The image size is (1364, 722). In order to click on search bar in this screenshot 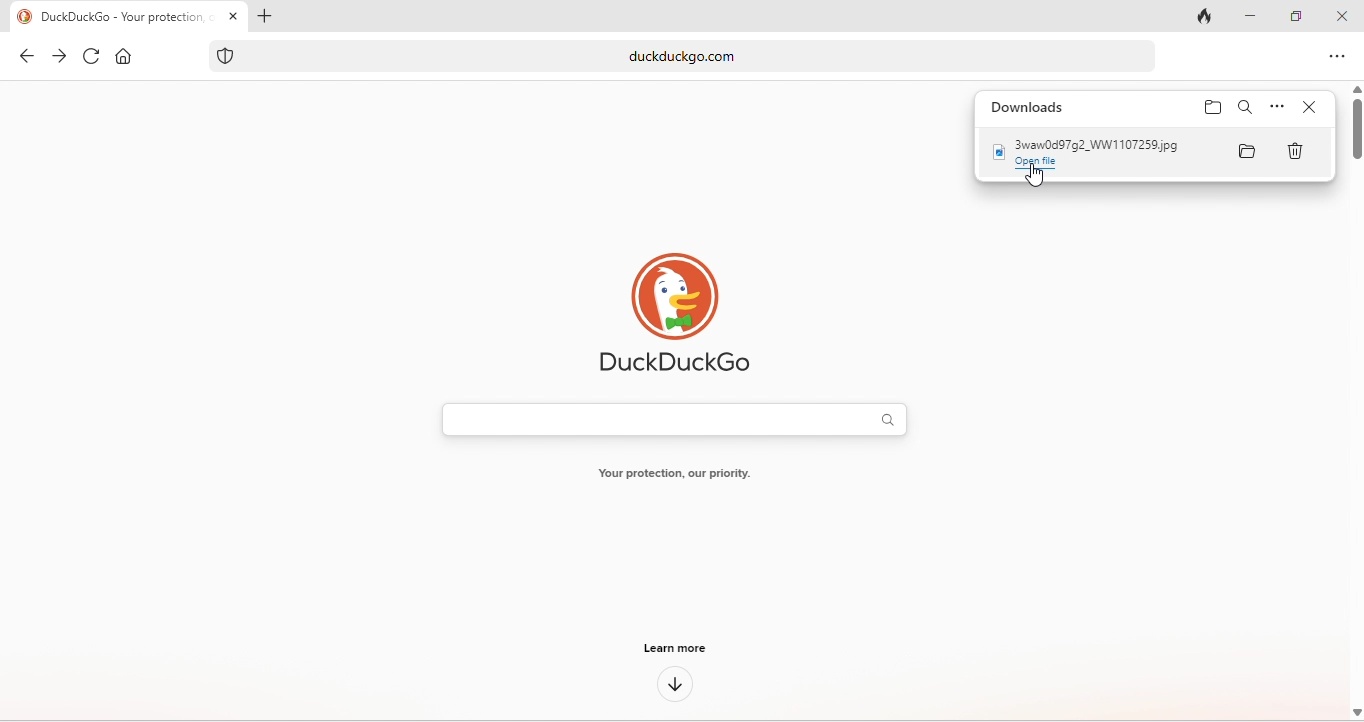, I will do `click(679, 420)`.